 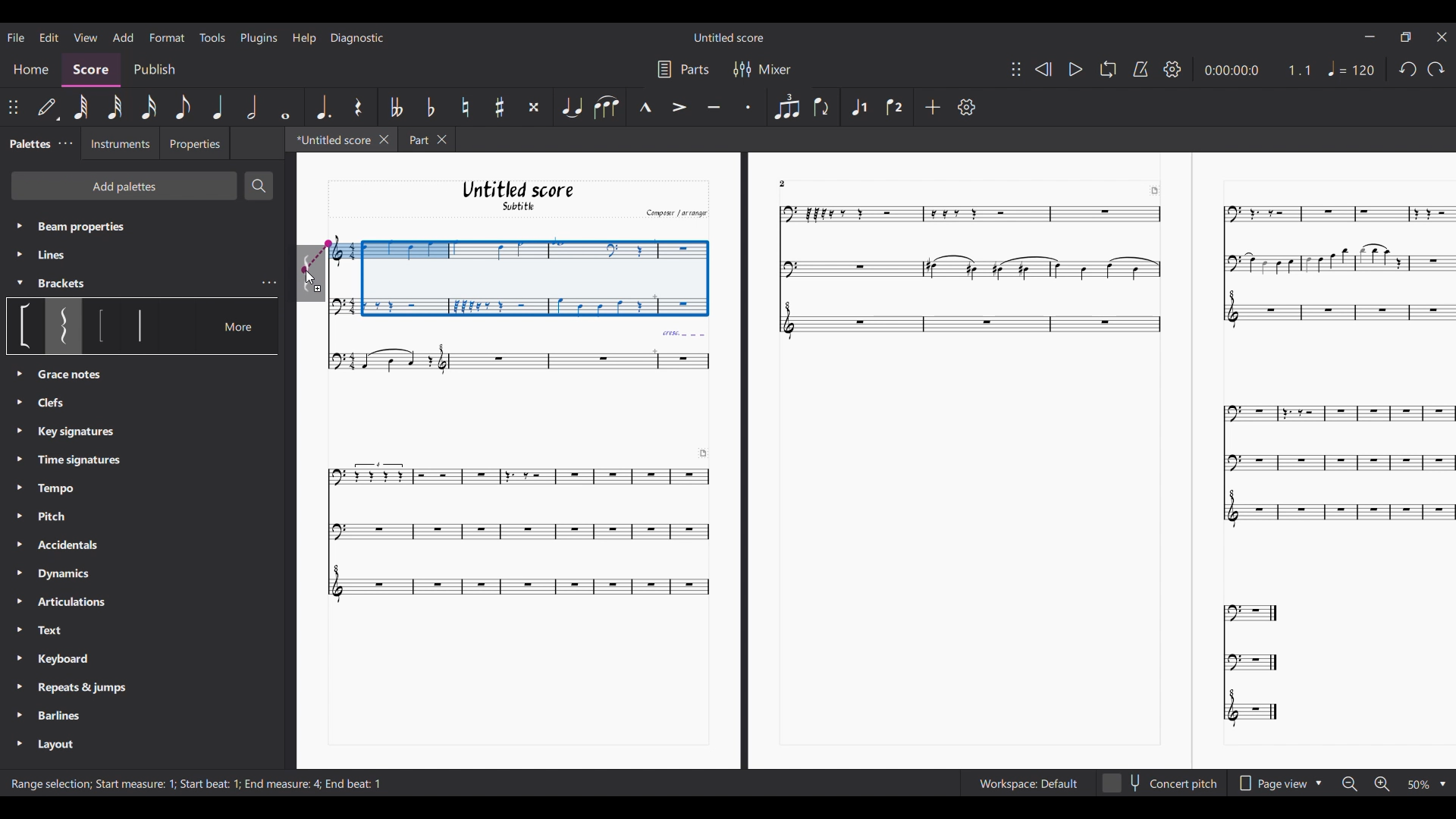 I want to click on , so click(x=523, y=362).